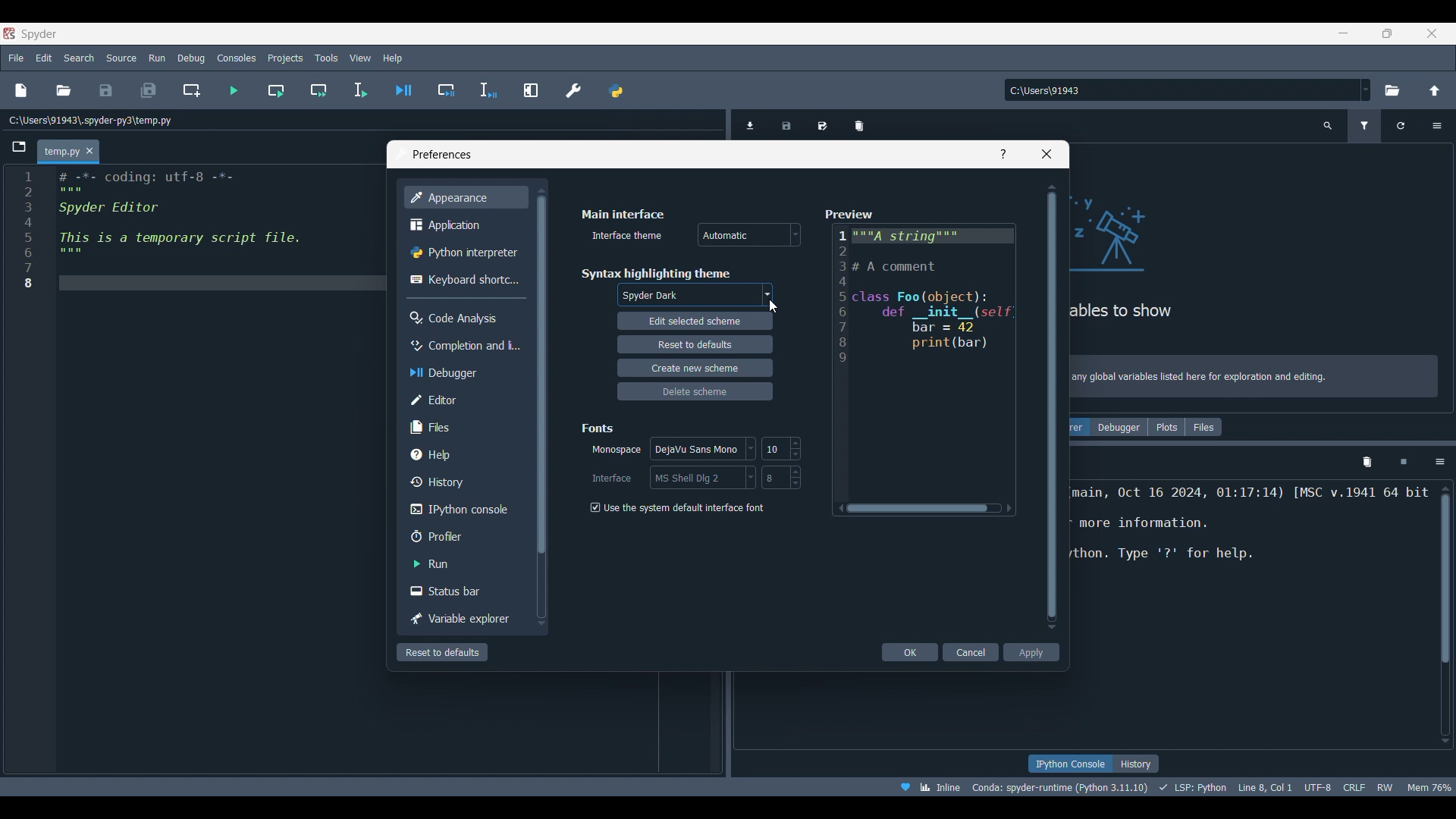  I want to click on Indicates Monospace settings, so click(617, 450).